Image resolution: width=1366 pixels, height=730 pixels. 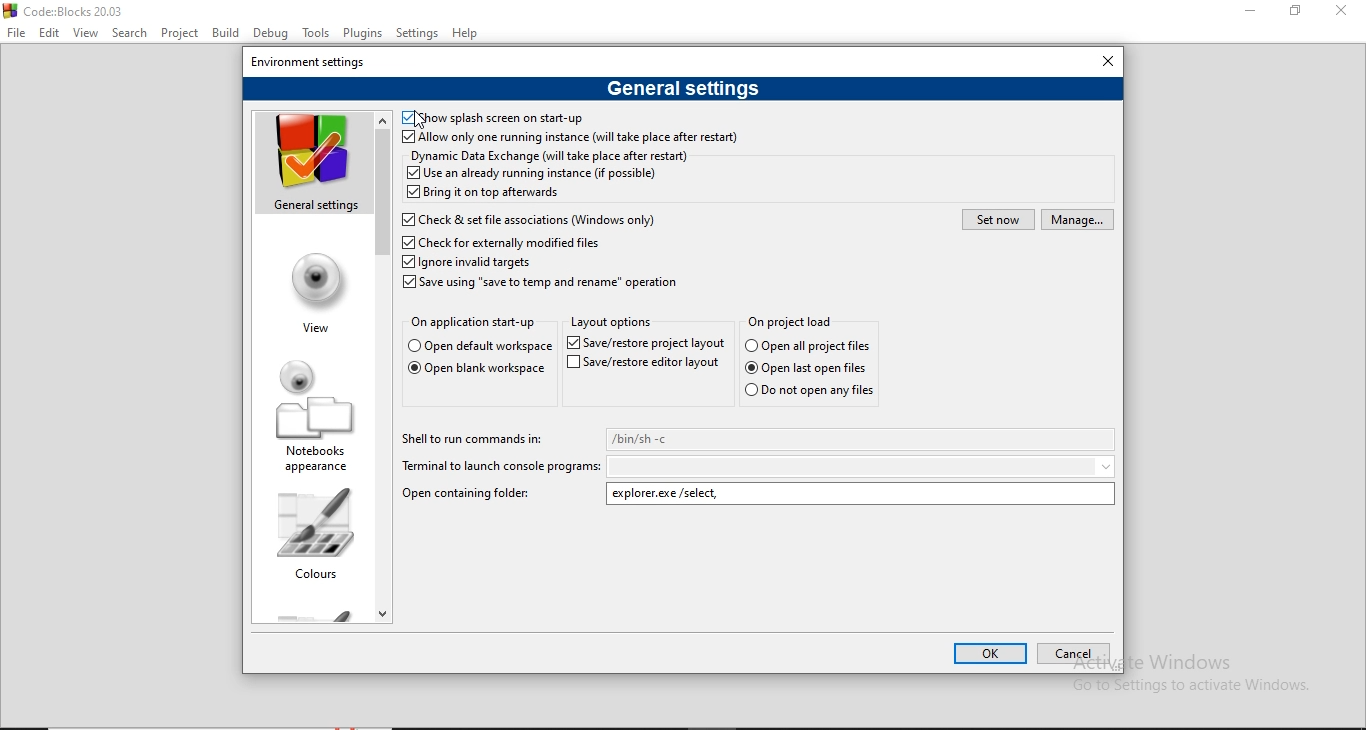 What do you see at coordinates (50, 31) in the screenshot?
I see `Edit ` at bounding box center [50, 31].